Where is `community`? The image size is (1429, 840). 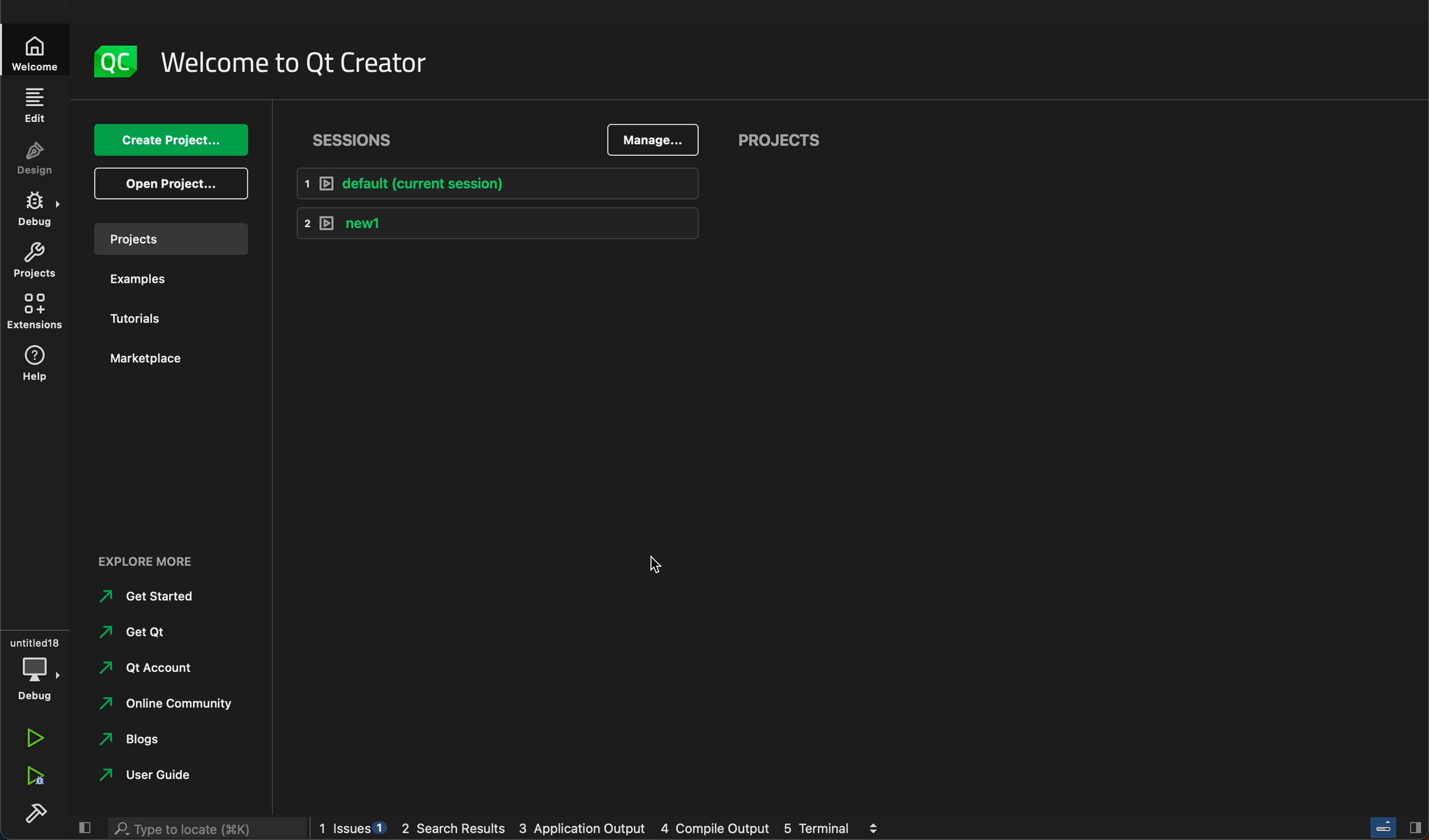
community is located at coordinates (171, 703).